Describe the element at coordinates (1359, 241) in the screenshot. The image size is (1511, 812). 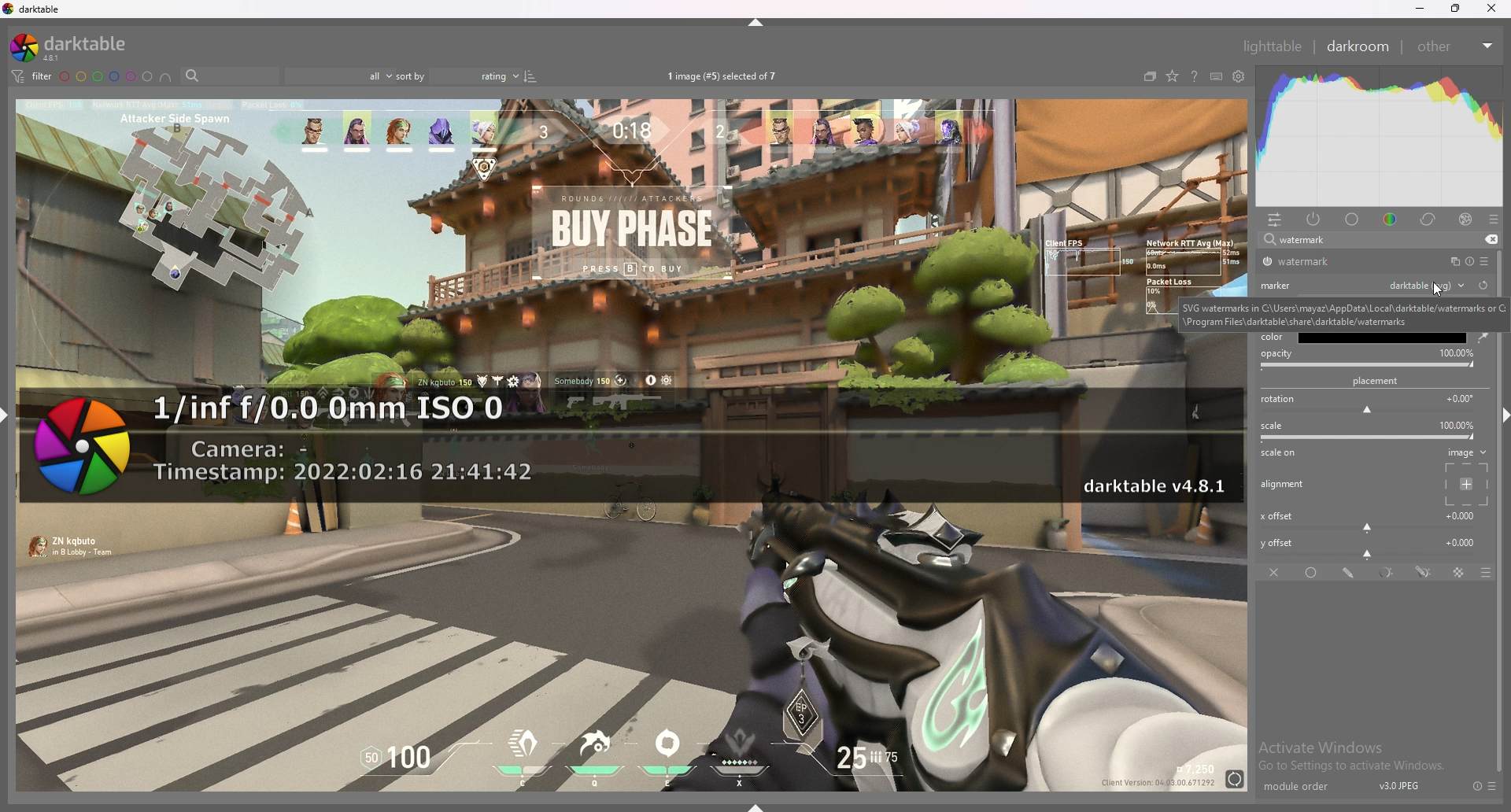
I see `search module` at that location.